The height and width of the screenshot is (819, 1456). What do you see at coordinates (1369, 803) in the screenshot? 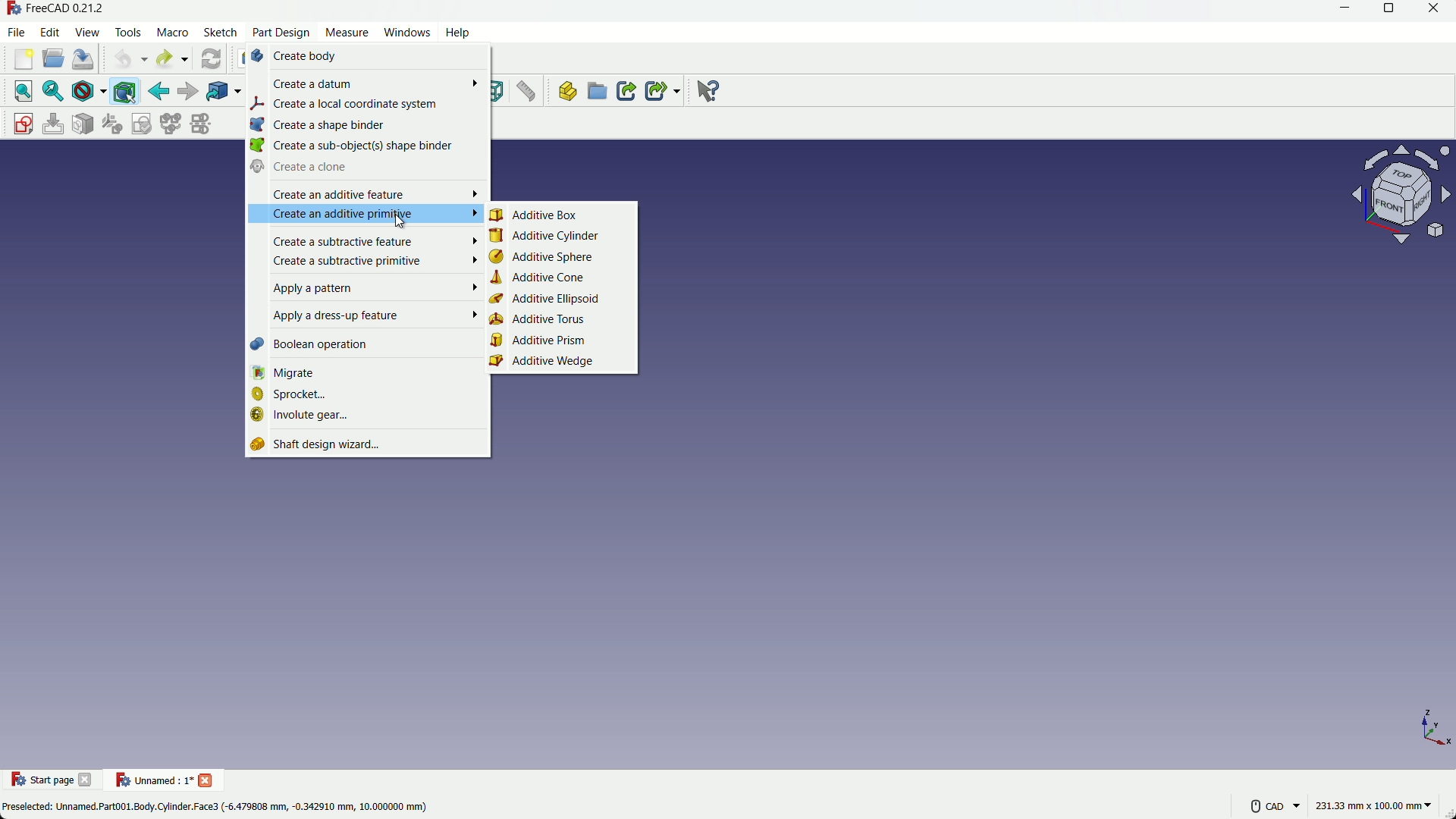
I see `measuring unit` at bounding box center [1369, 803].